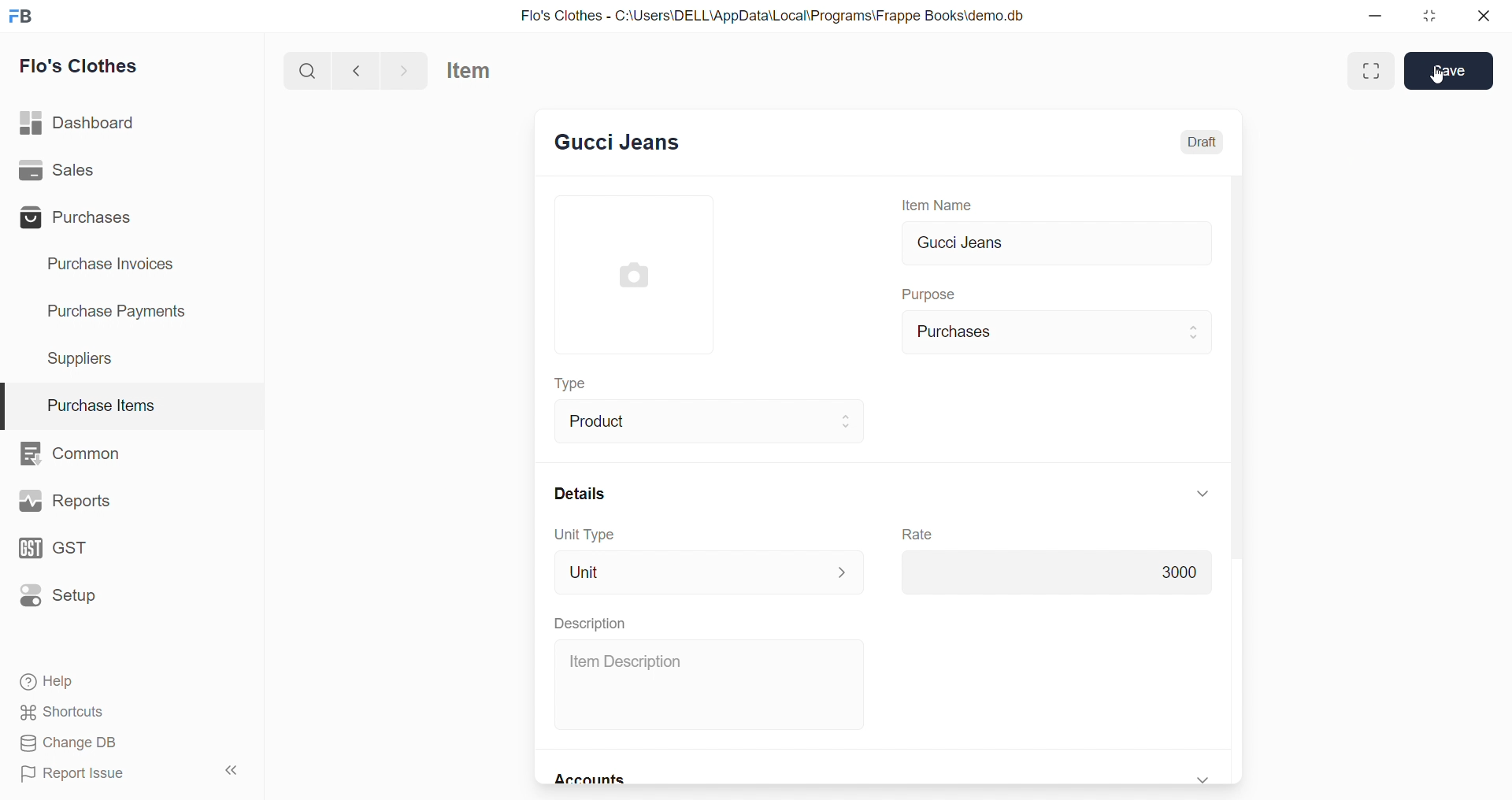 The image size is (1512, 800). What do you see at coordinates (80, 217) in the screenshot?
I see `Purchases` at bounding box center [80, 217].